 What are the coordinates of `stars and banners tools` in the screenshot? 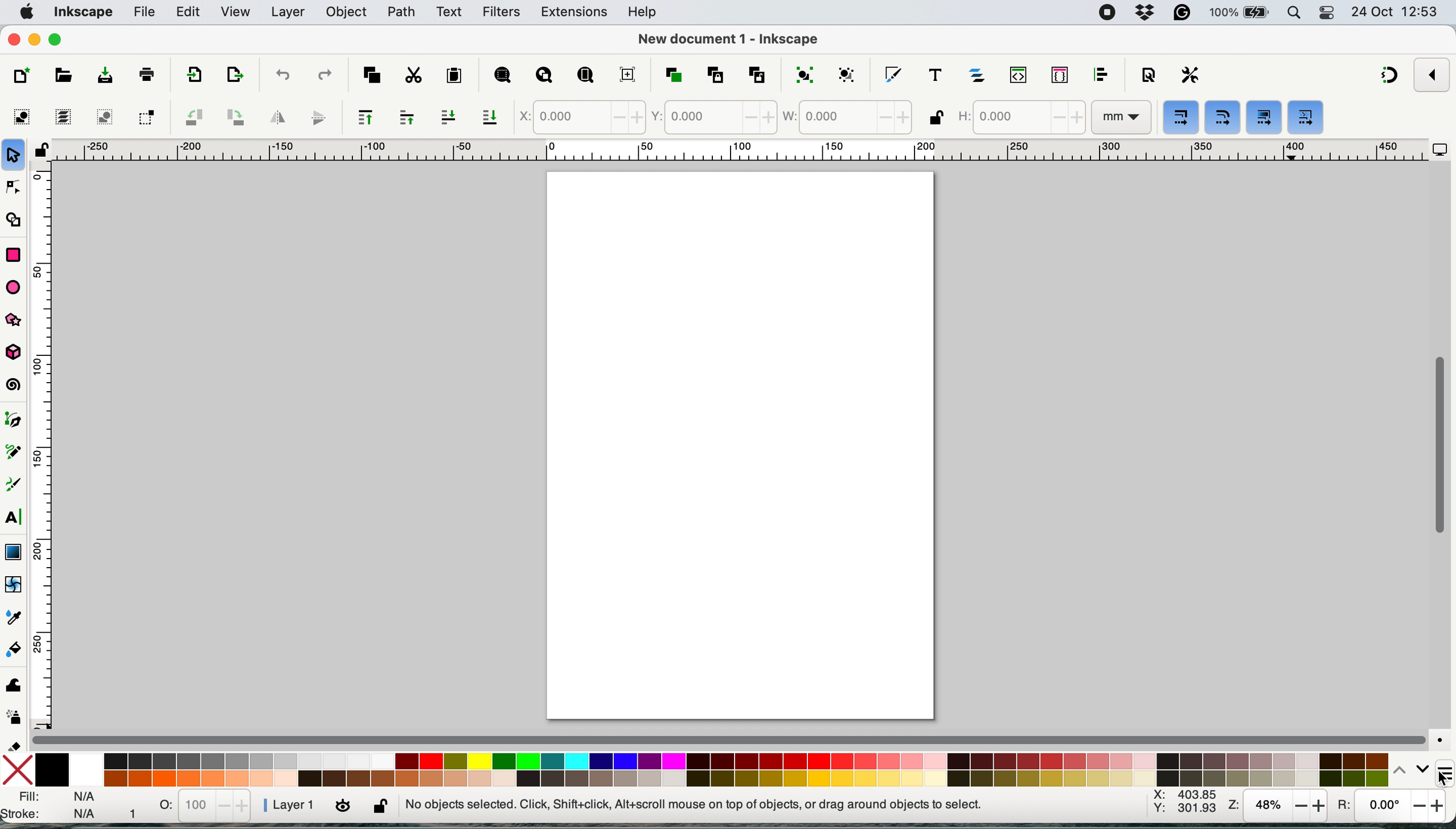 It's located at (16, 322).